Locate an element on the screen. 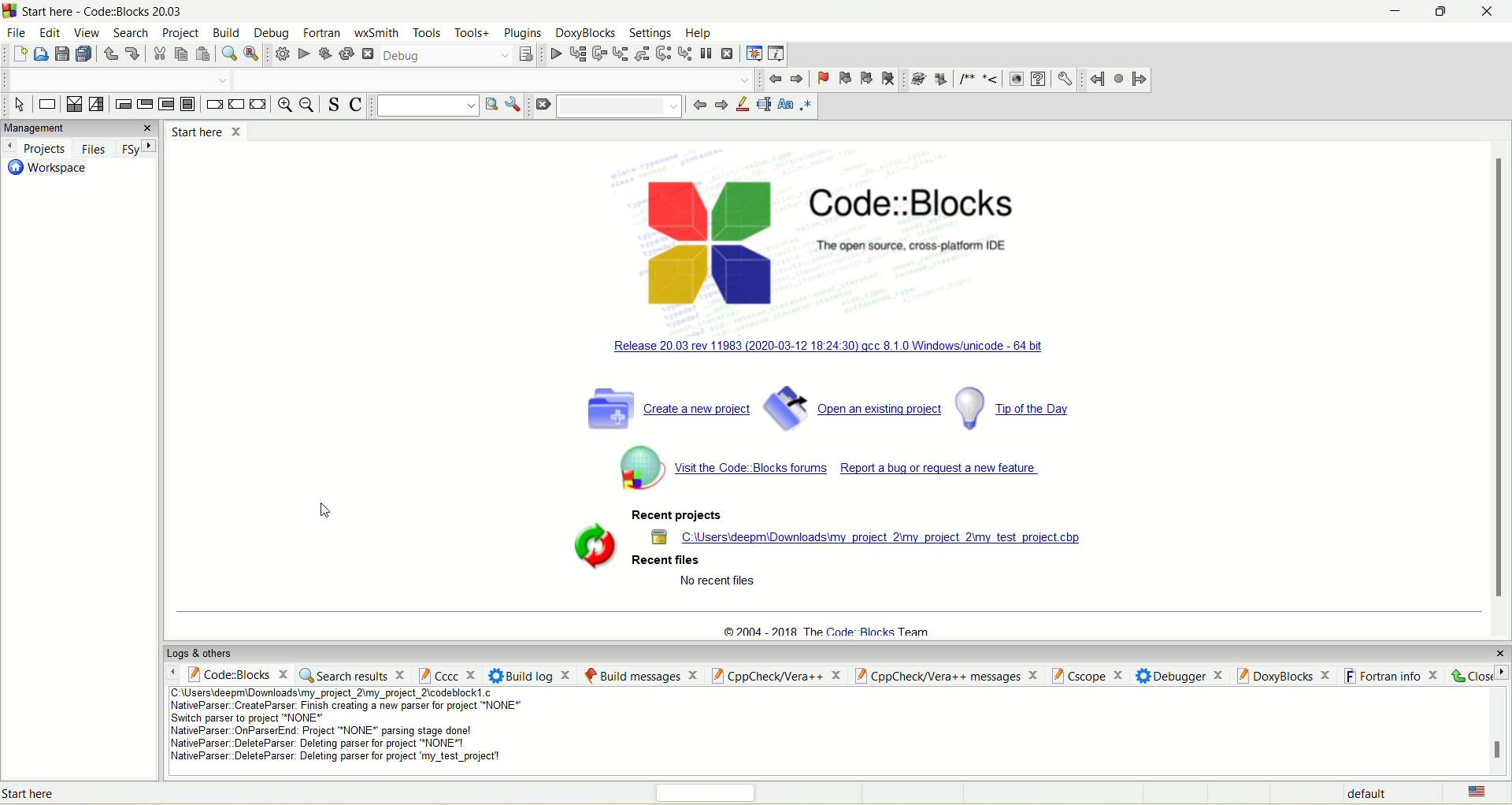 This screenshot has height=805, width=1512. close is located at coordinates (1489, 12).